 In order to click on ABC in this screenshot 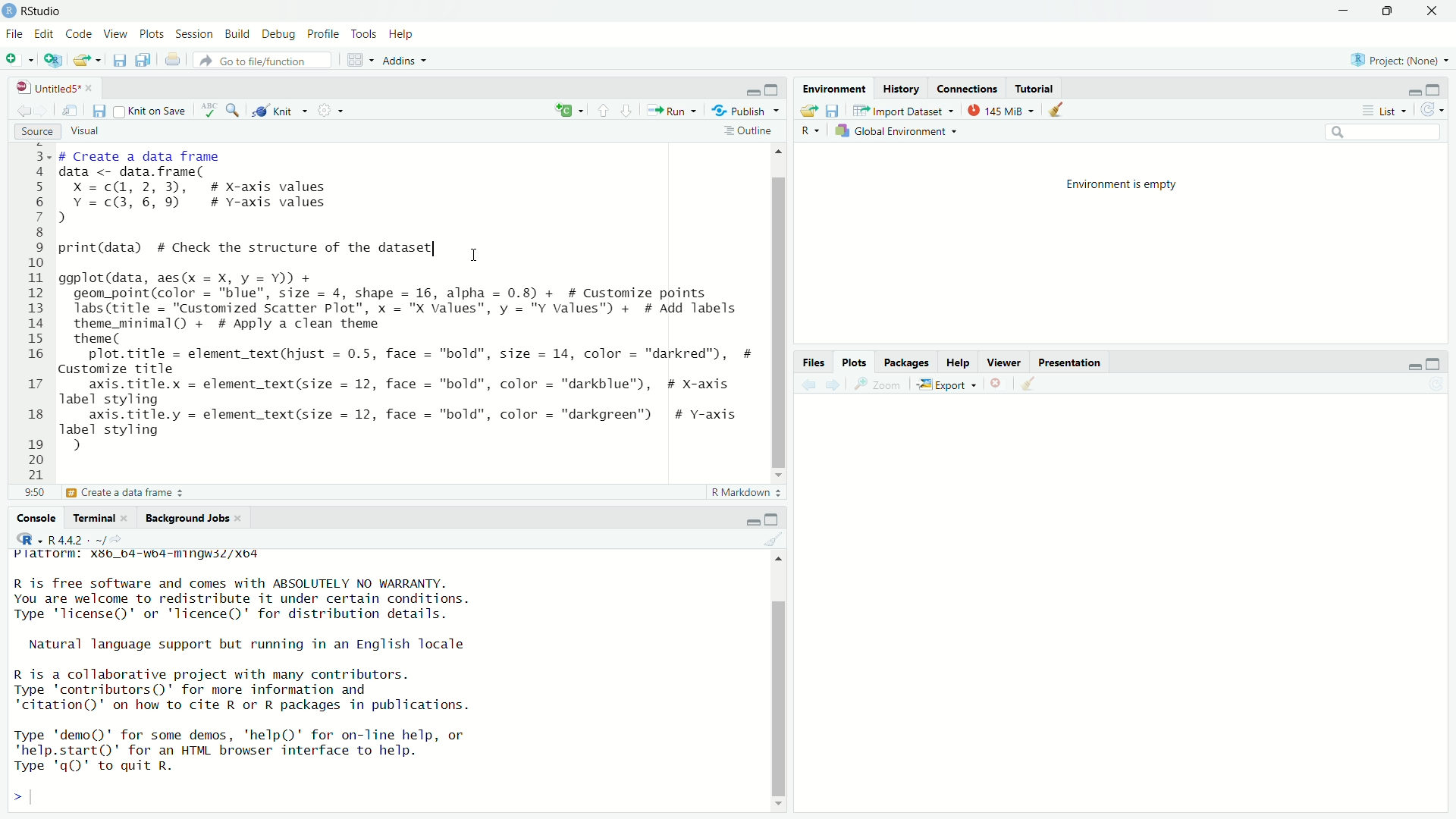, I will do `click(208, 111)`.